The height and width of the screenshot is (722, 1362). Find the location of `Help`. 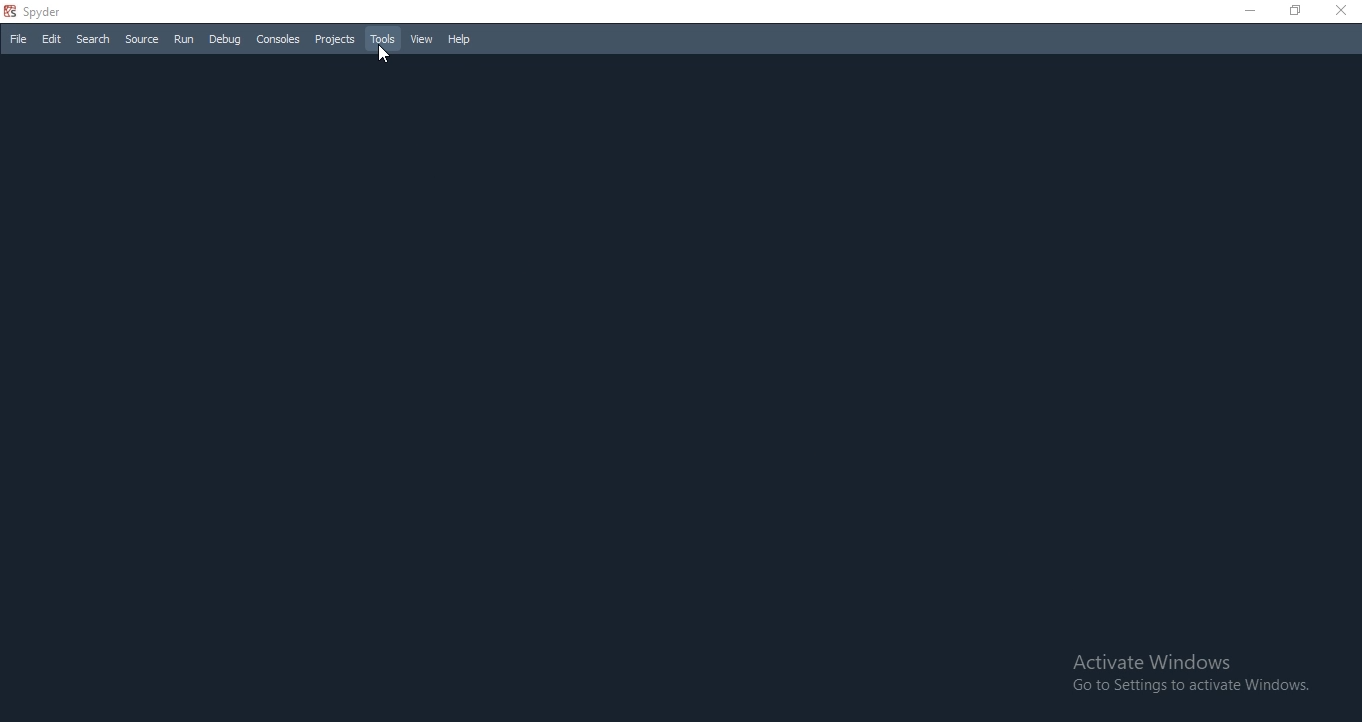

Help is located at coordinates (460, 39).